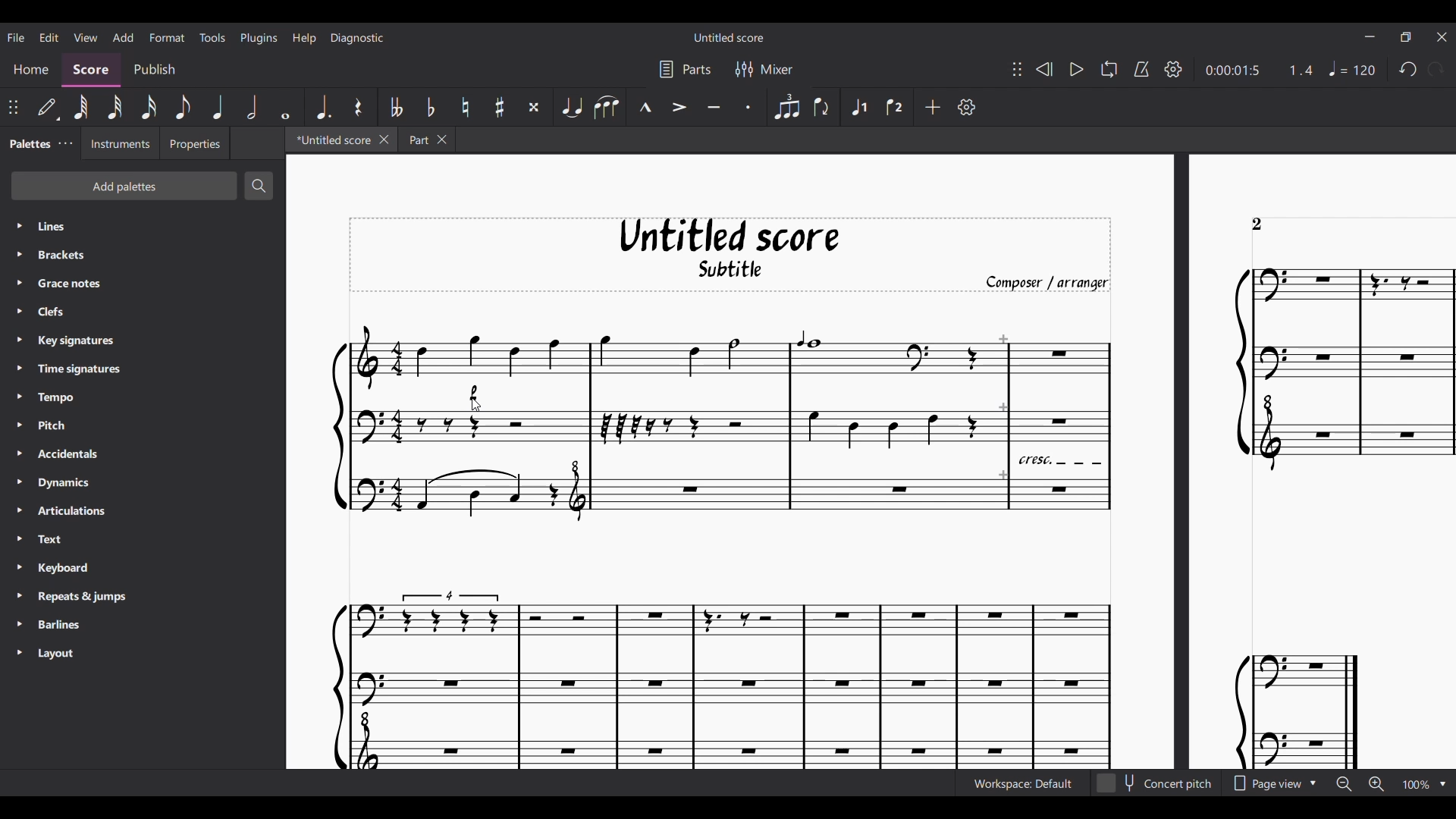 This screenshot has width=1456, height=819. What do you see at coordinates (749, 106) in the screenshot?
I see `Staccato` at bounding box center [749, 106].